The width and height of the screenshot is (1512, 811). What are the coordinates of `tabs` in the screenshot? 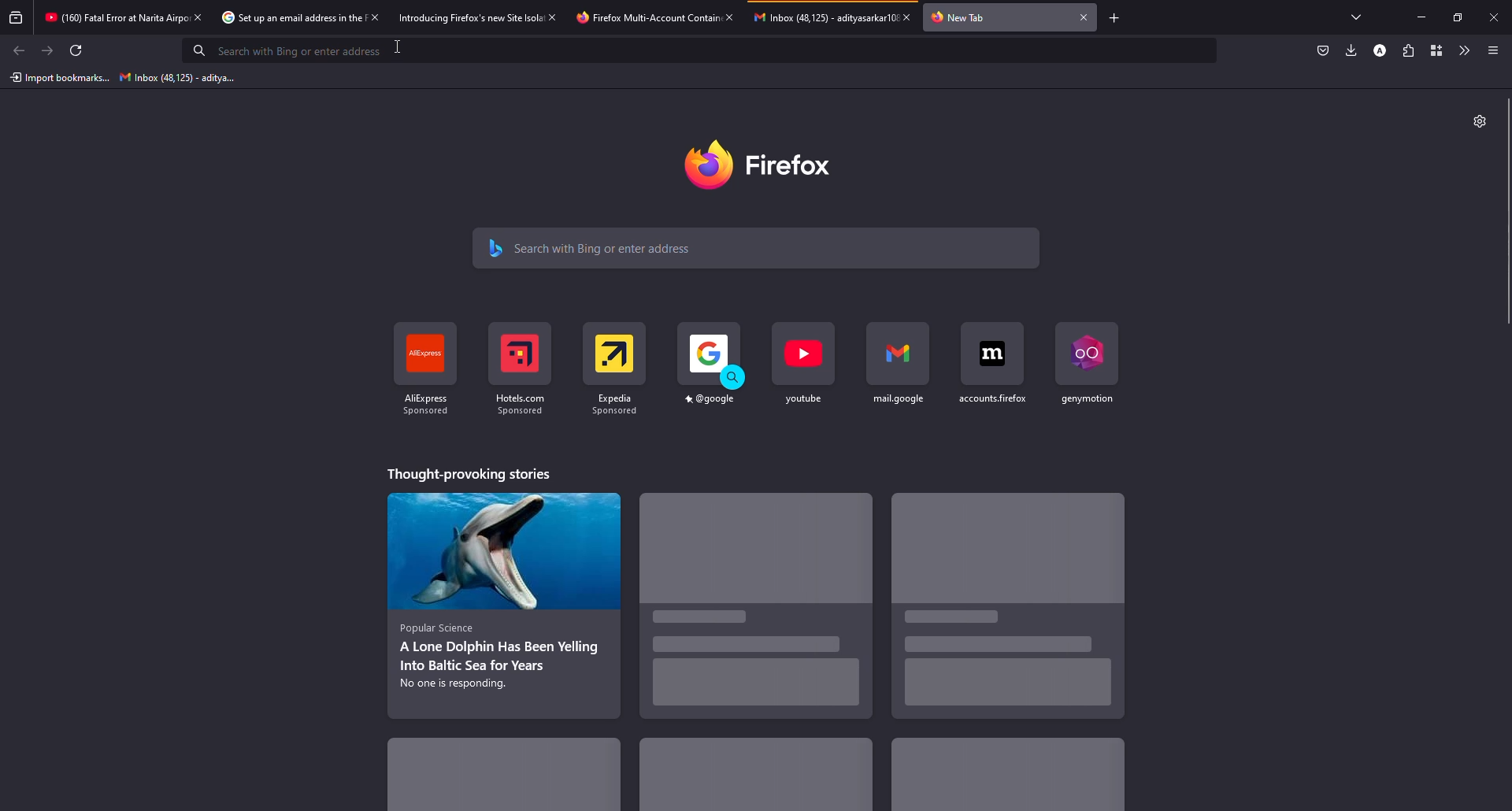 It's located at (1361, 17).